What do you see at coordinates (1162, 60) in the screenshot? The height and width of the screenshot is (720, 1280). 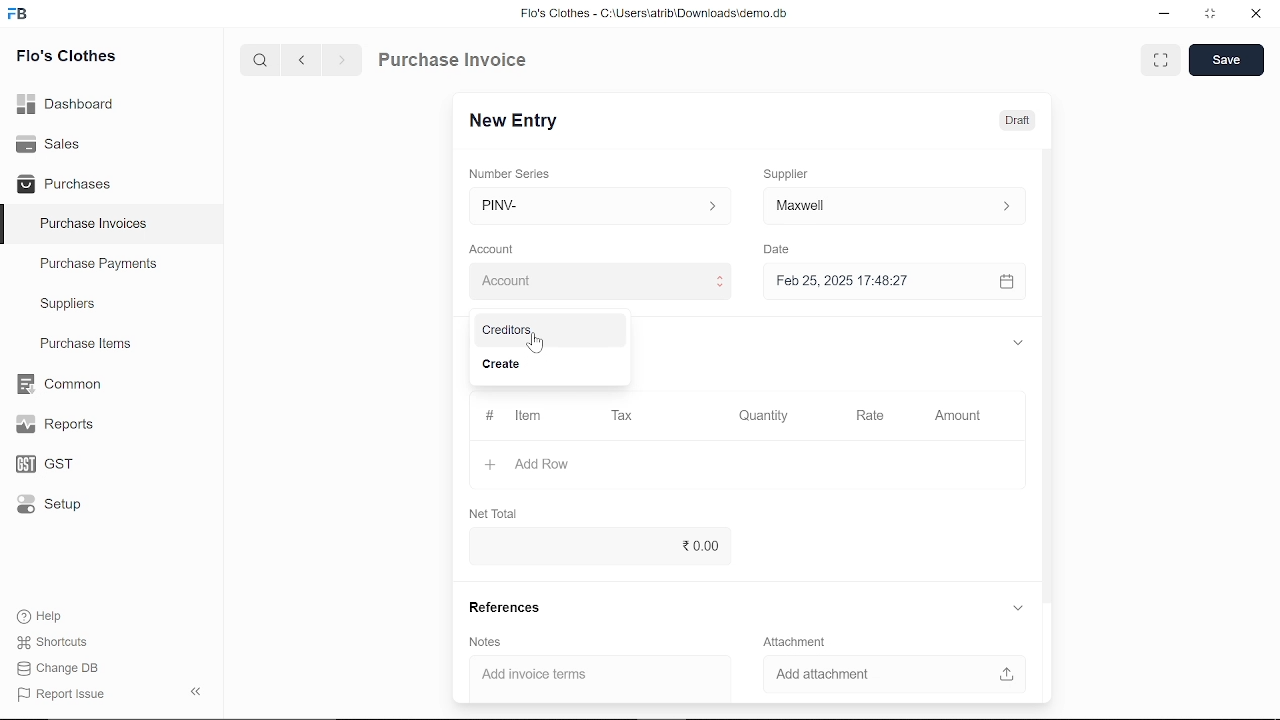 I see `full view` at bounding box center [1162, 60].